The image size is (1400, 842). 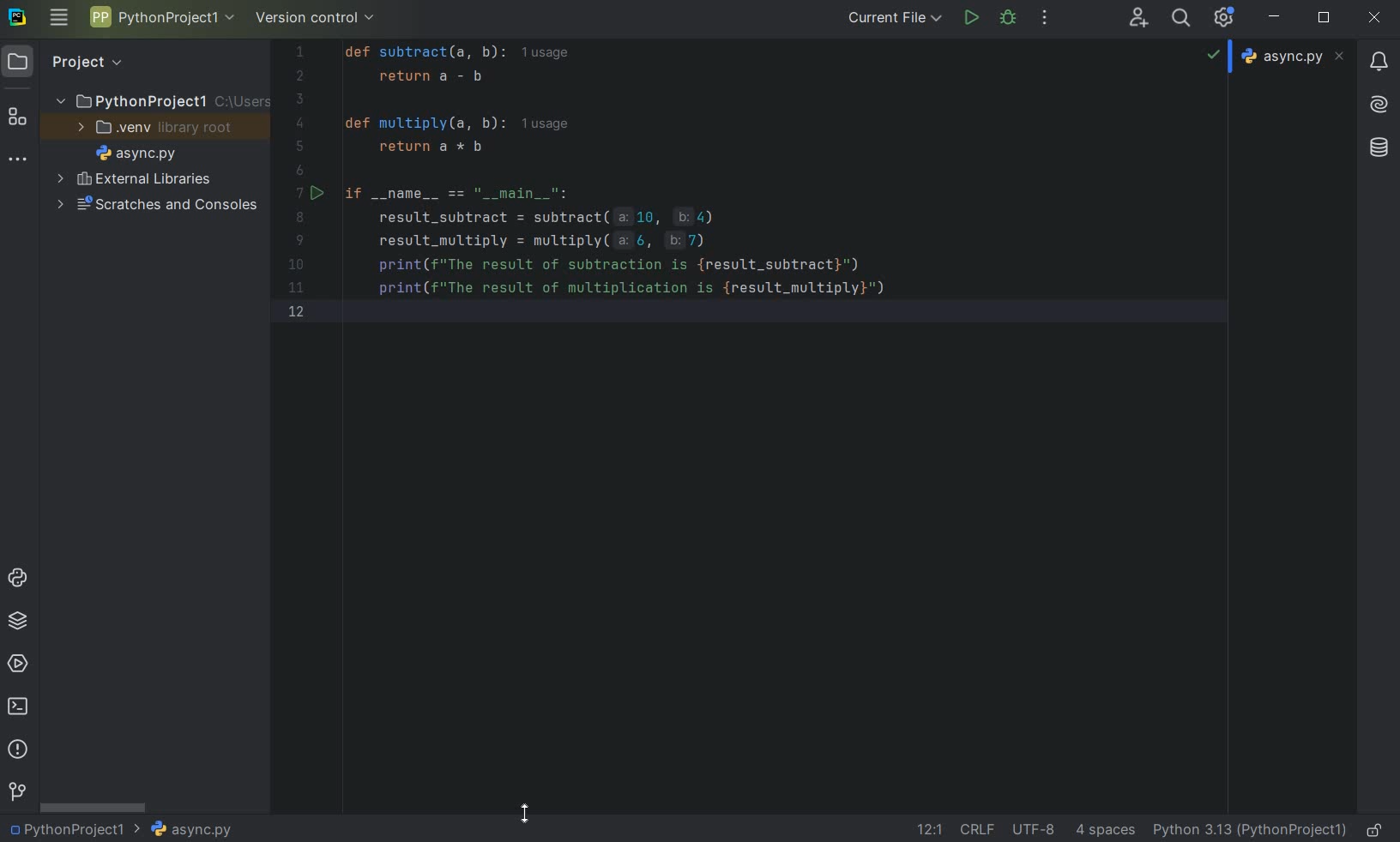 I want to click on close, so click(x=1375, y=19).